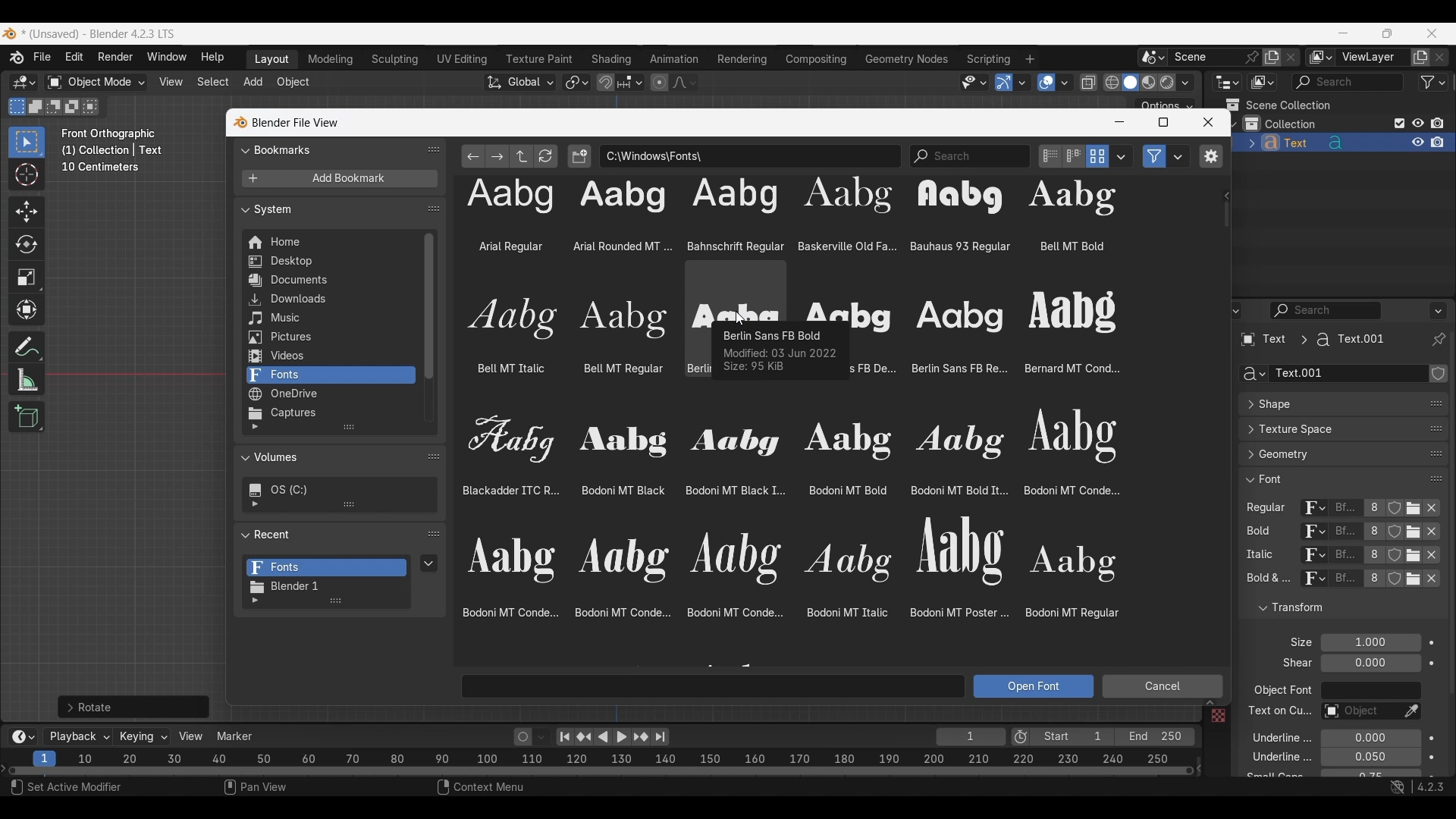  I want to click on Toggle X-ray, so click(1089, 83).